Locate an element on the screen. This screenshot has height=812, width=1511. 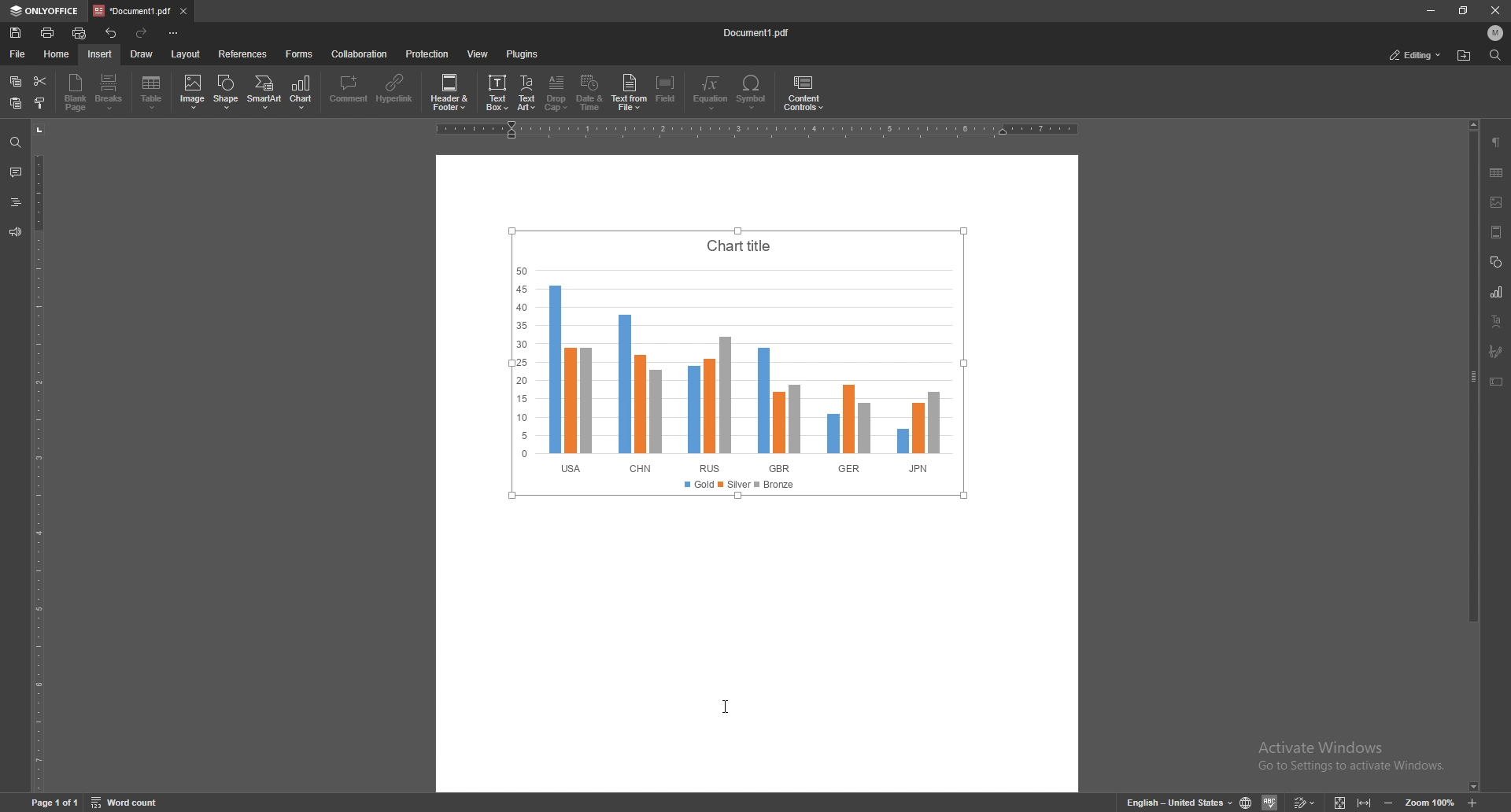
table is located at coordinates (151, 93).